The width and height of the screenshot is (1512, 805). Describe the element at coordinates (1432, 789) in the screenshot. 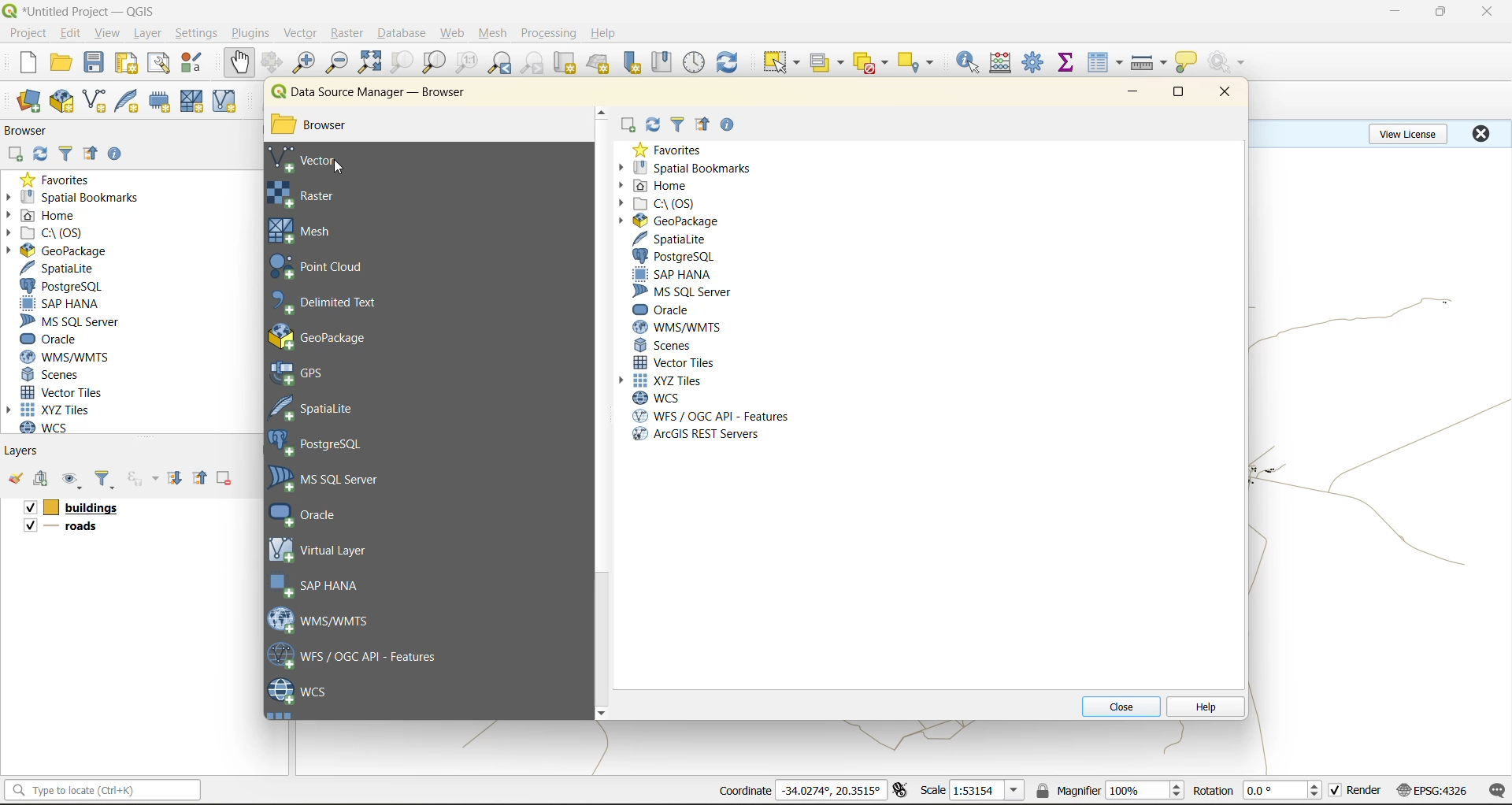

I see `crs` at that location.